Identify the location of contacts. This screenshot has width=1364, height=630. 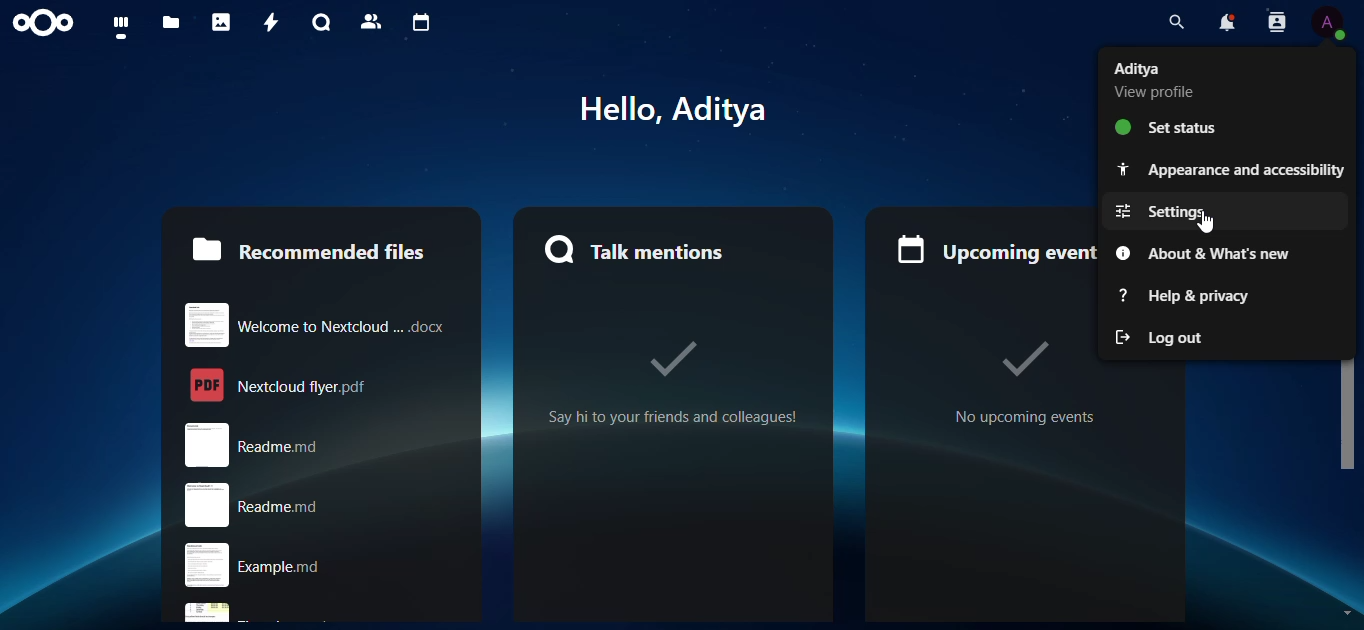
(368, 21).